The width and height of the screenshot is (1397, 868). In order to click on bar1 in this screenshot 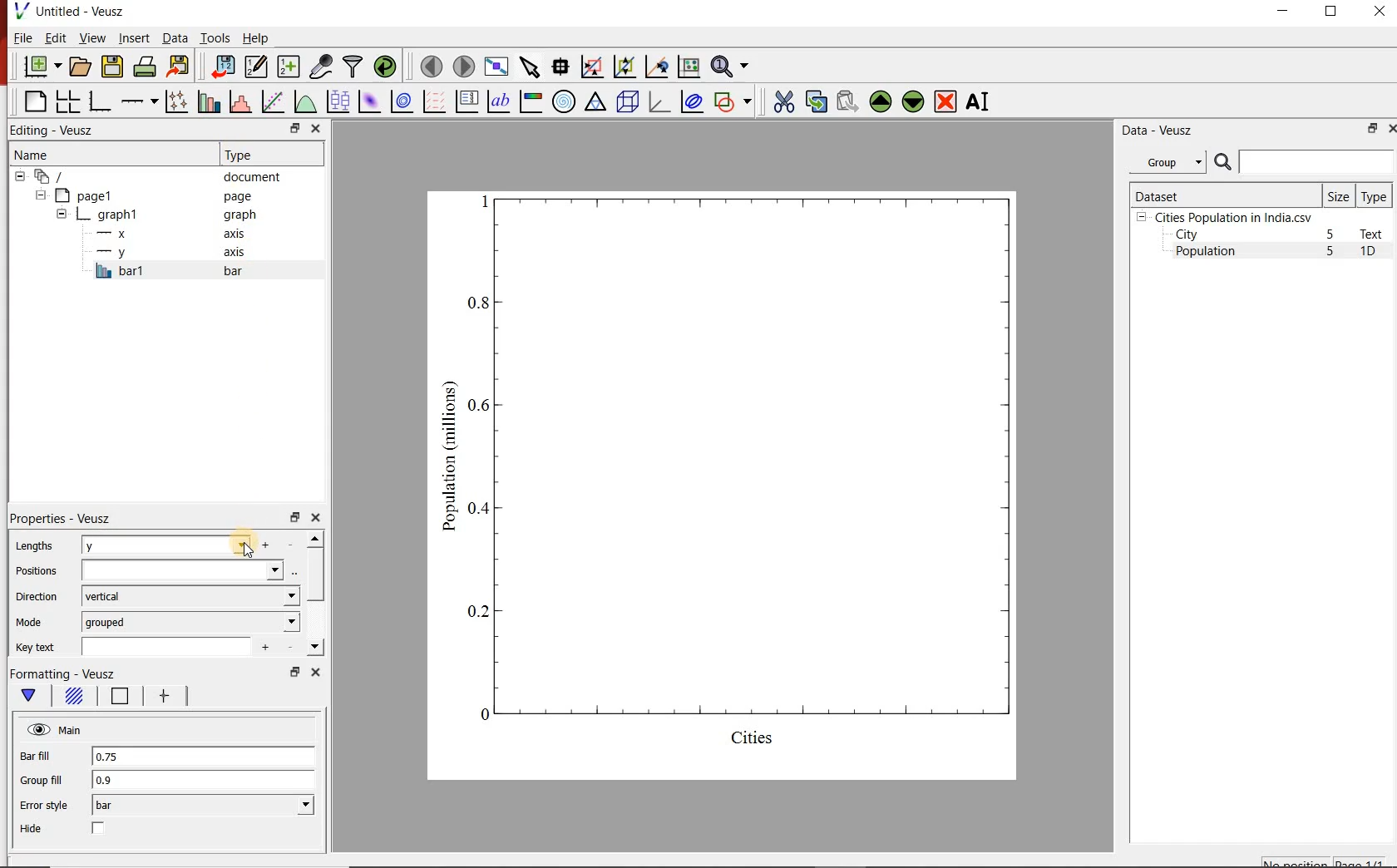, I will do `click(186, 271)`.